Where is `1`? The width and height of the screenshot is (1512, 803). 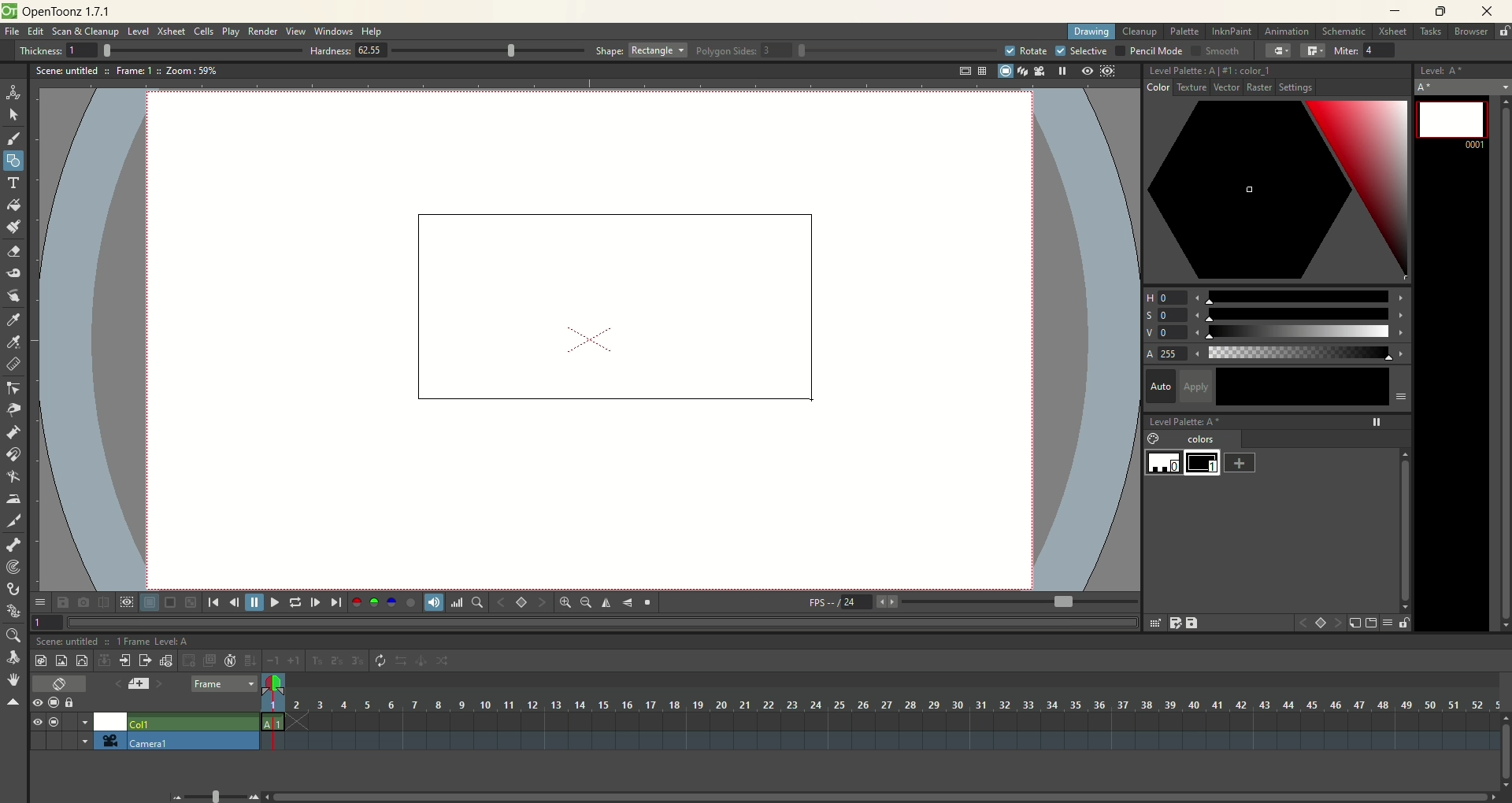
1 is located at coordinates (47, 621).